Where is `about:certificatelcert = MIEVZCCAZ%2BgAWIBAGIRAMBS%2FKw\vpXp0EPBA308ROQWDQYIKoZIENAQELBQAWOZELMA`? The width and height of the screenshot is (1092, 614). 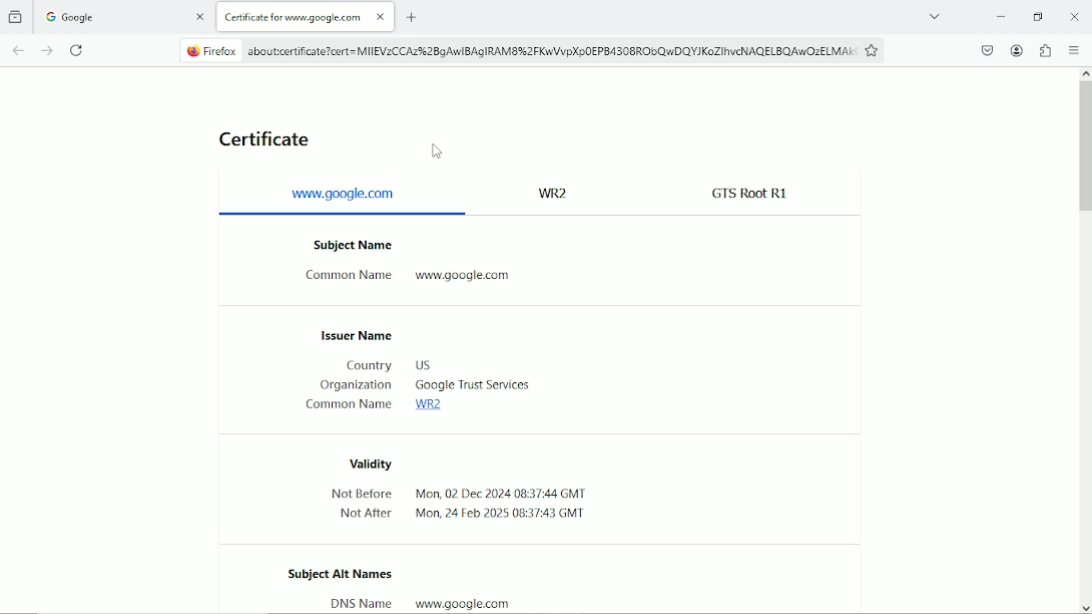 about:certificatelcert = MIEVZCCAZ%2BgAWIBAGIRAMBS%2FKw\vpXp0EPBA308ROQWDQYIKoZIENAQELBQAWOZELMA is located at coordinates (516, 50).